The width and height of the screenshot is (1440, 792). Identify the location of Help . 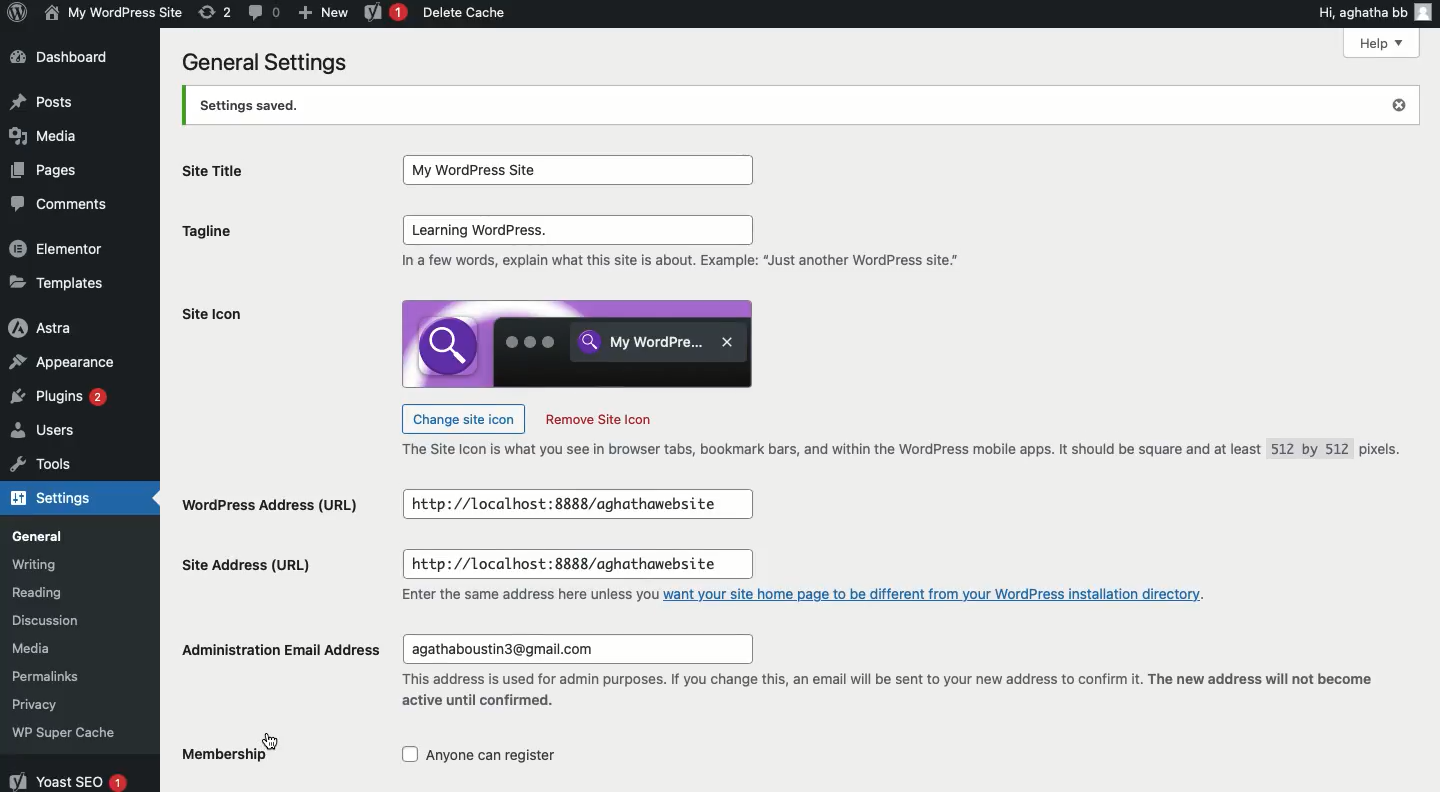
(1379, 42).